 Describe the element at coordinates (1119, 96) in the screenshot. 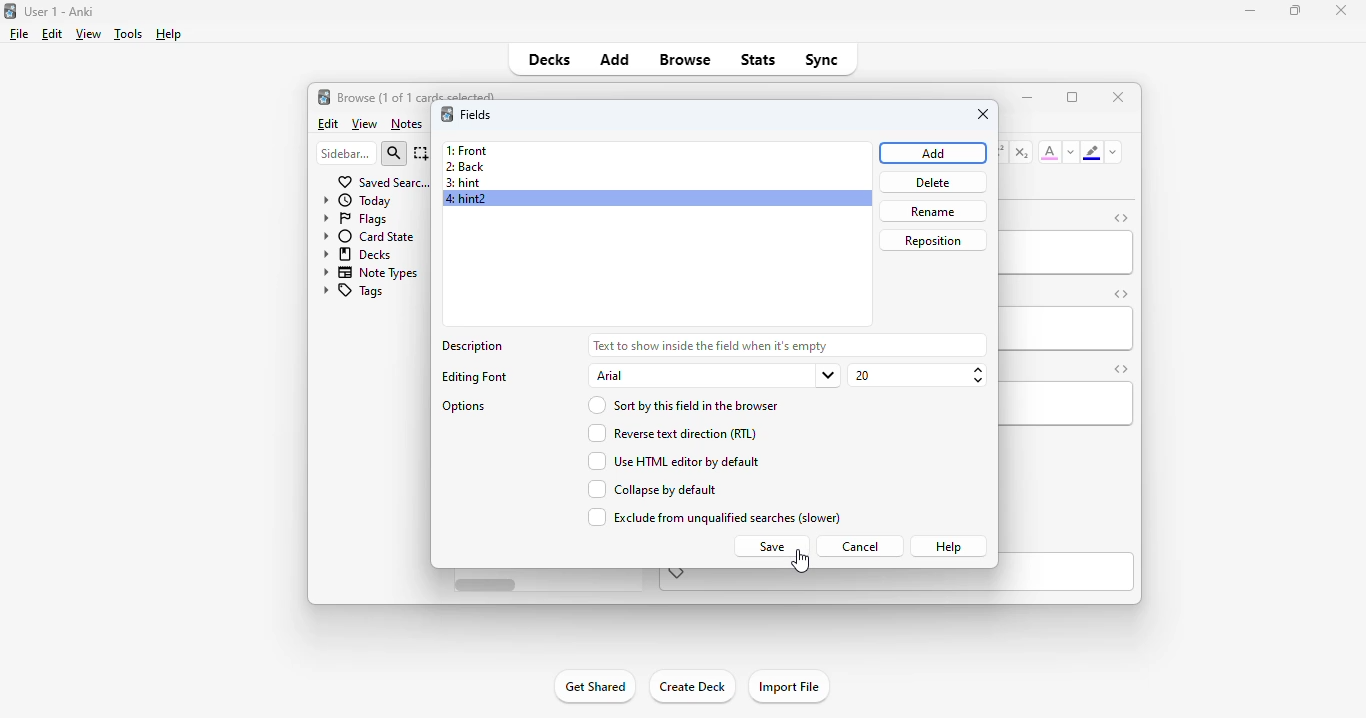

I see `close` at that location.